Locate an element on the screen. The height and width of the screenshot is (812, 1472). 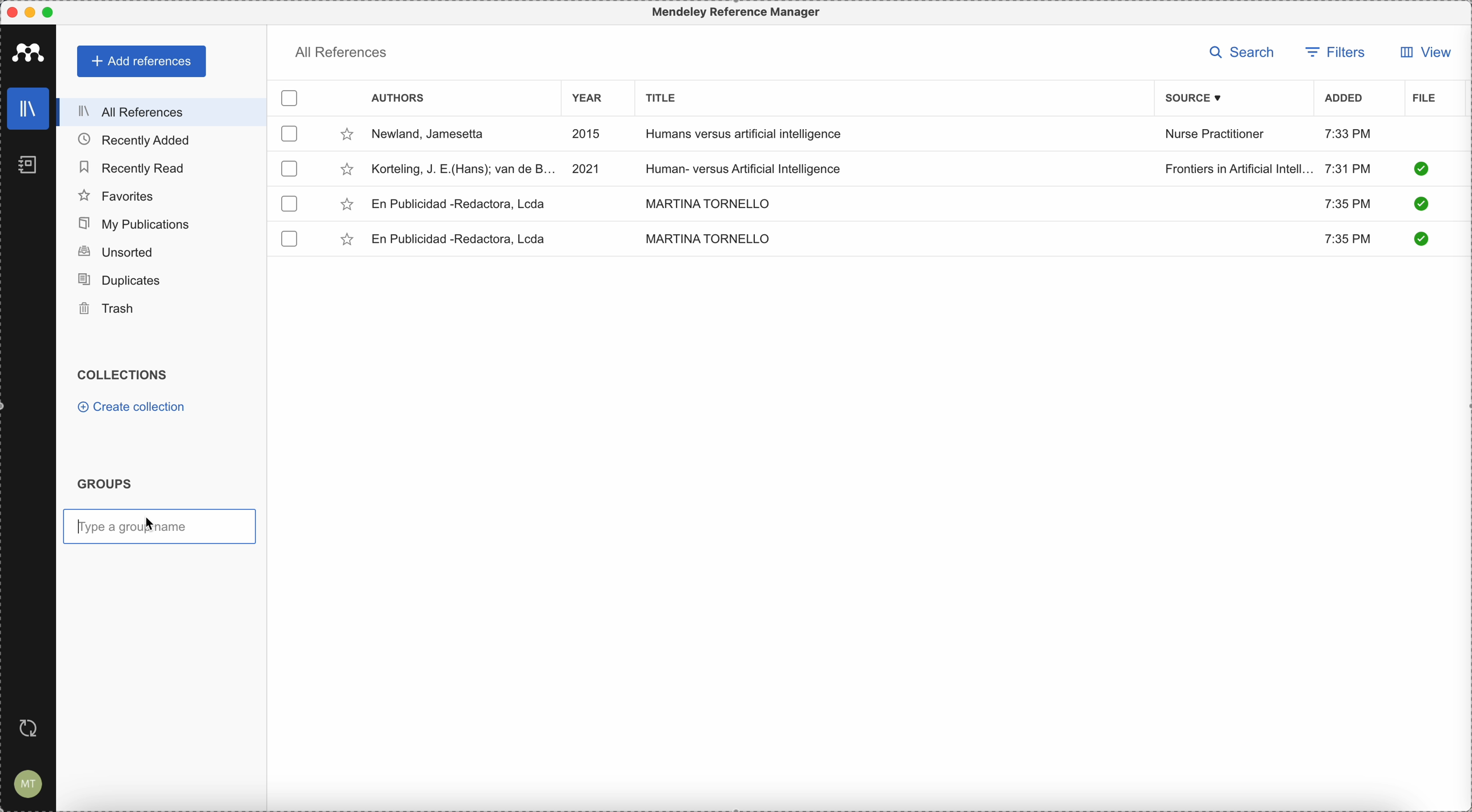
add references is located at coordinates (143, 62).